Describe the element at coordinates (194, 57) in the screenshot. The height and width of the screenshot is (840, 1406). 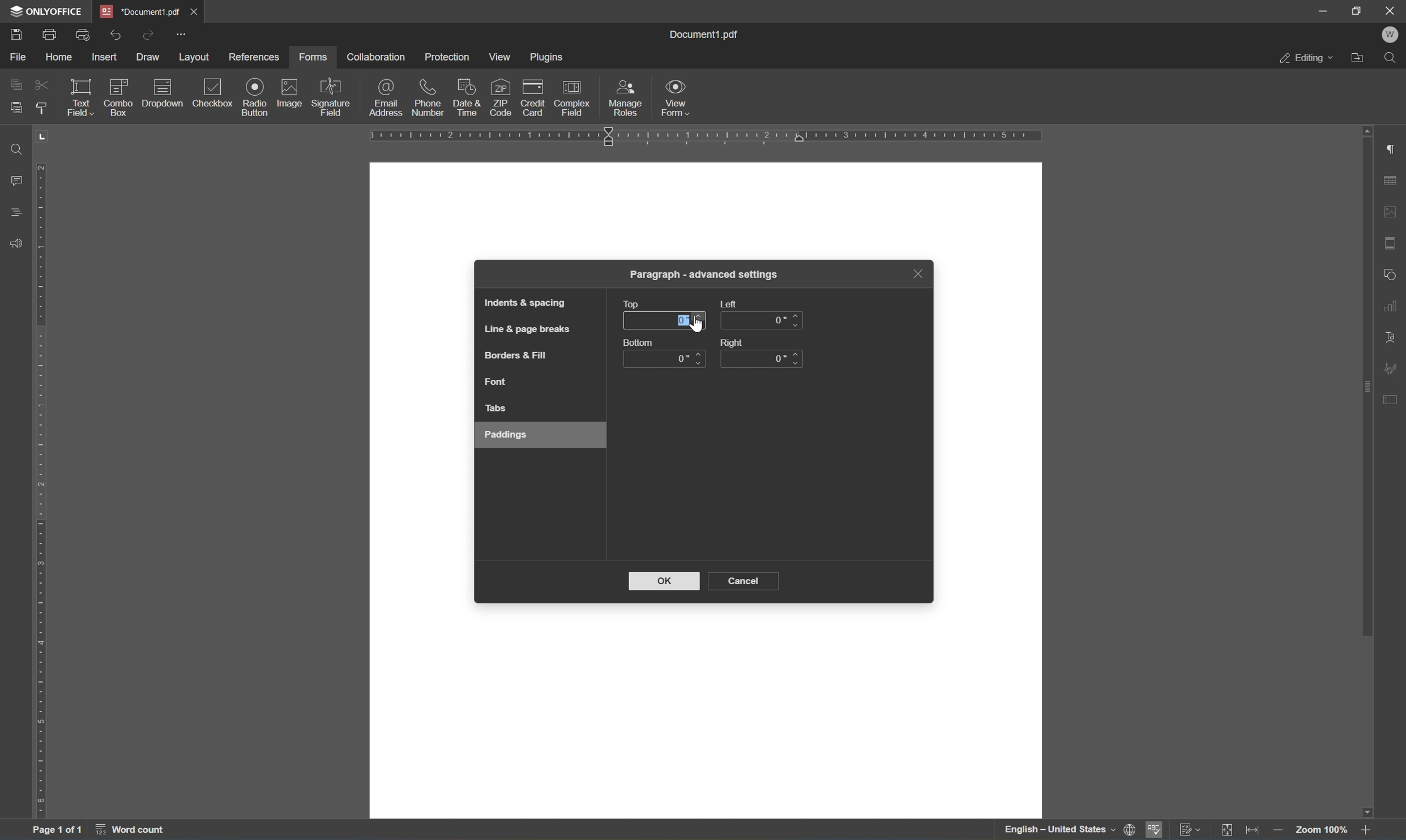
I see `layout` at that location.